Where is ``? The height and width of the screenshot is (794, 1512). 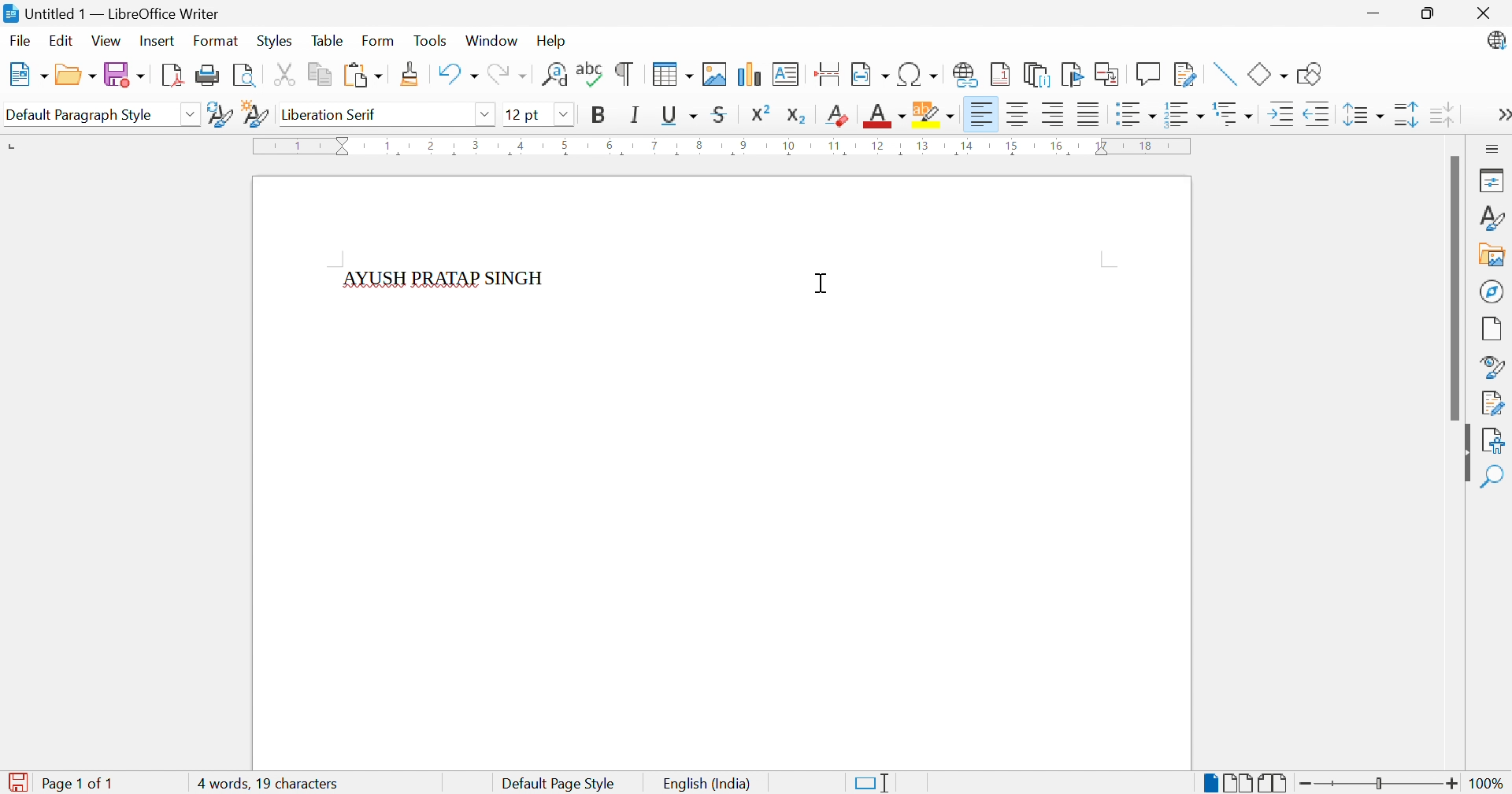  is located at coordinates (825, 285).